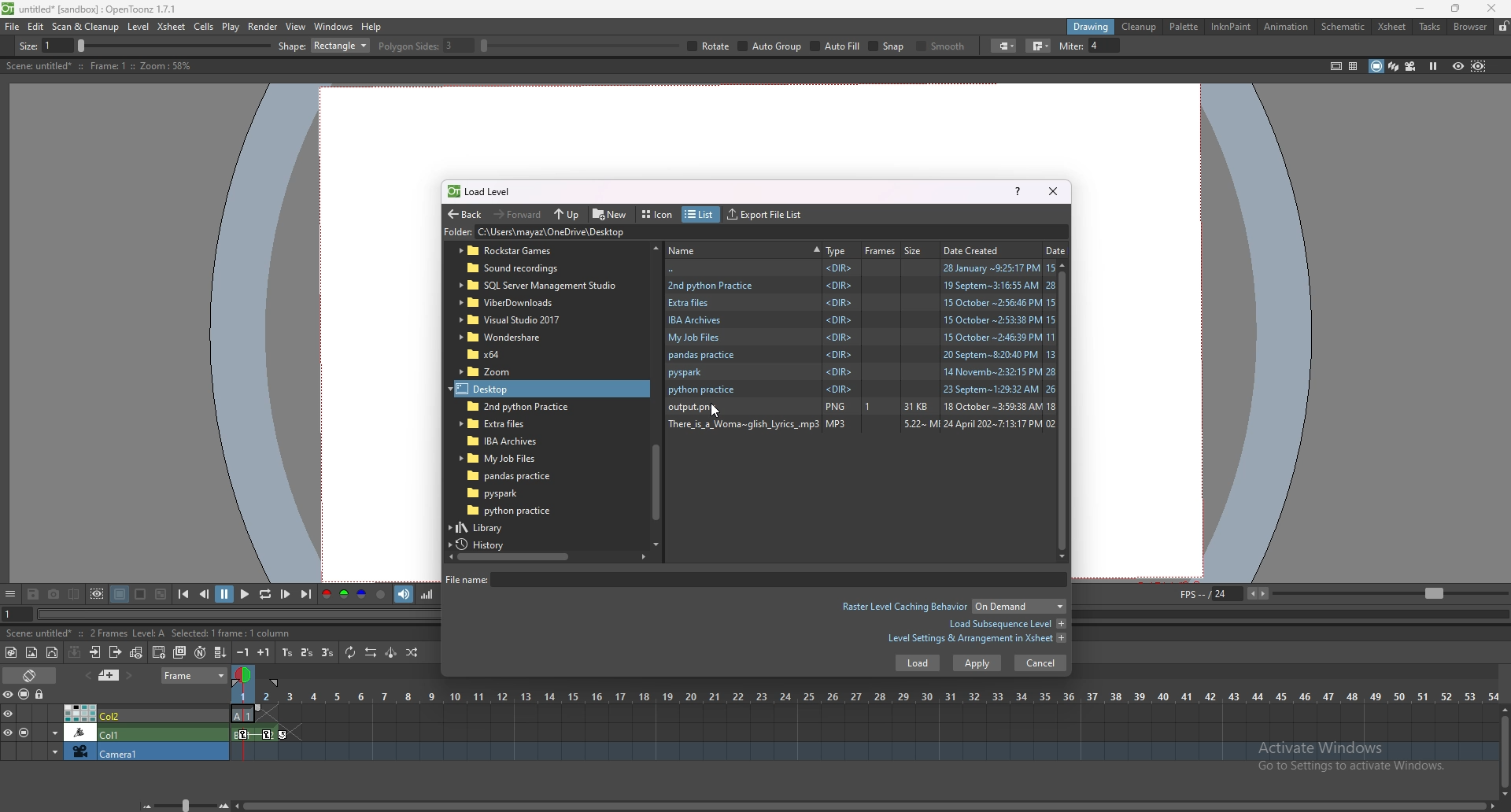  Describe the element at coordinates (507, 458) in the screenshot. I see `folder` at that location.